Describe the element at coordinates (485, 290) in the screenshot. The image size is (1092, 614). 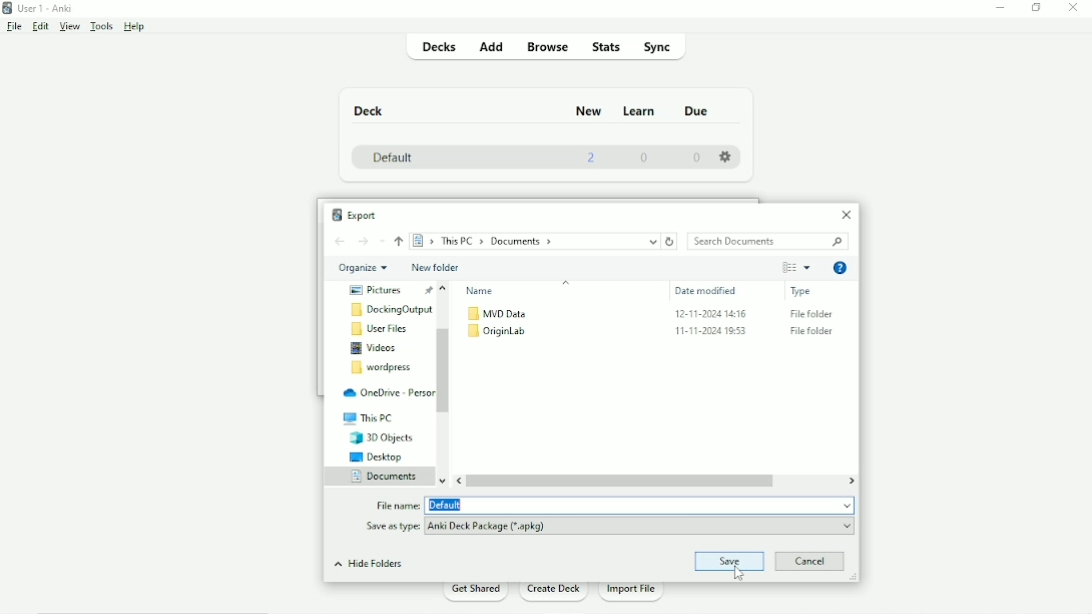
I see `Name` at that location.